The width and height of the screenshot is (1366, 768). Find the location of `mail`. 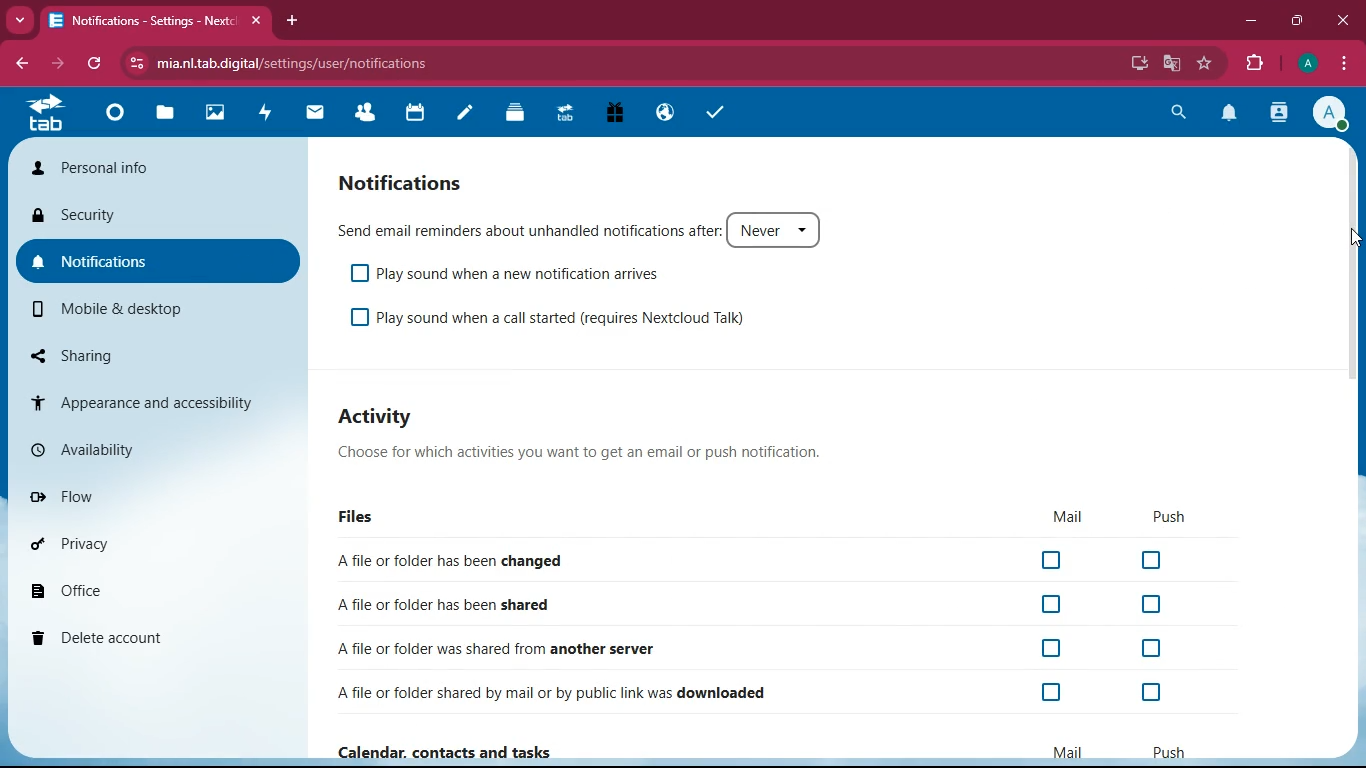

mail is located at coordinates (315, 114).